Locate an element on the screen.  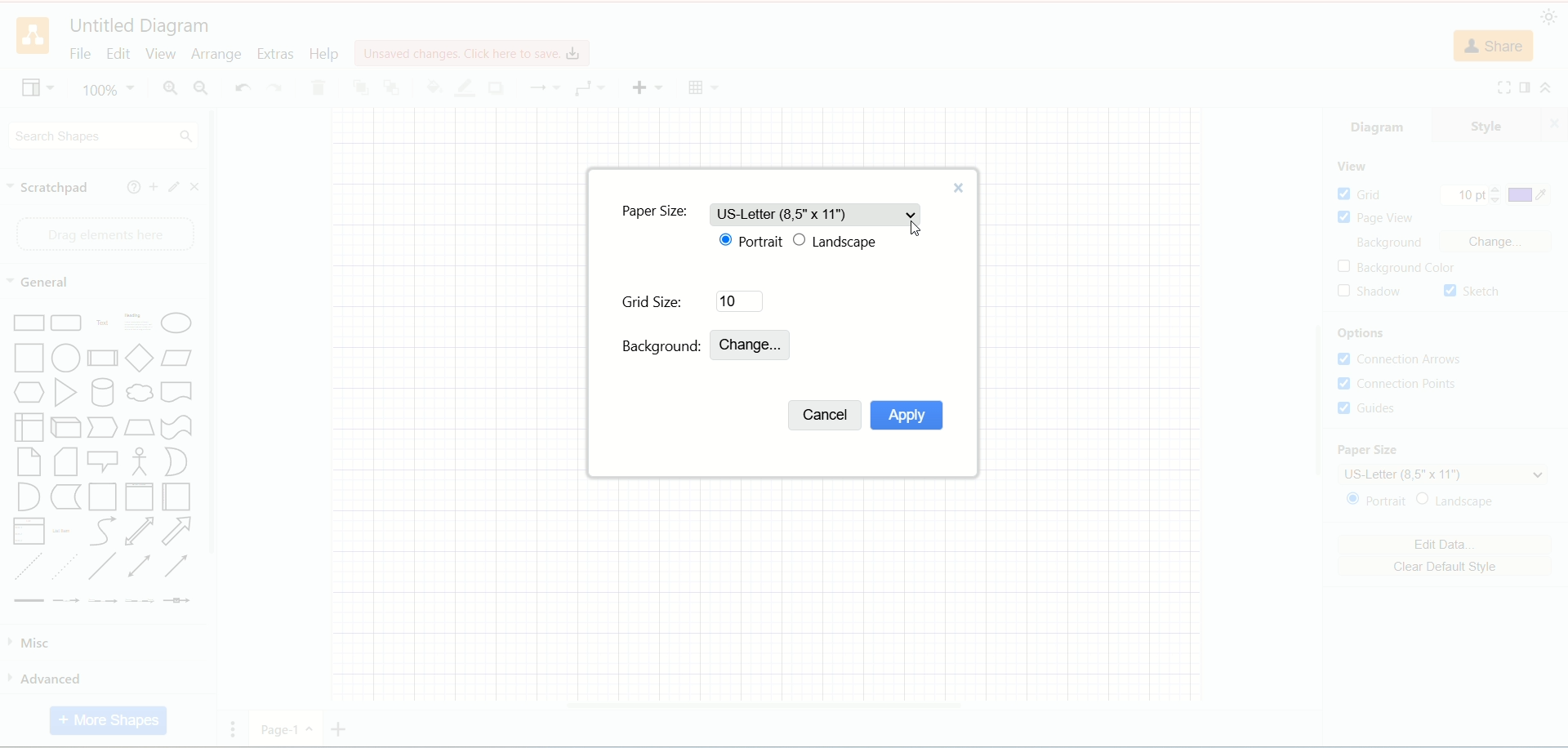
landscape is located at coordinates (837, 242).